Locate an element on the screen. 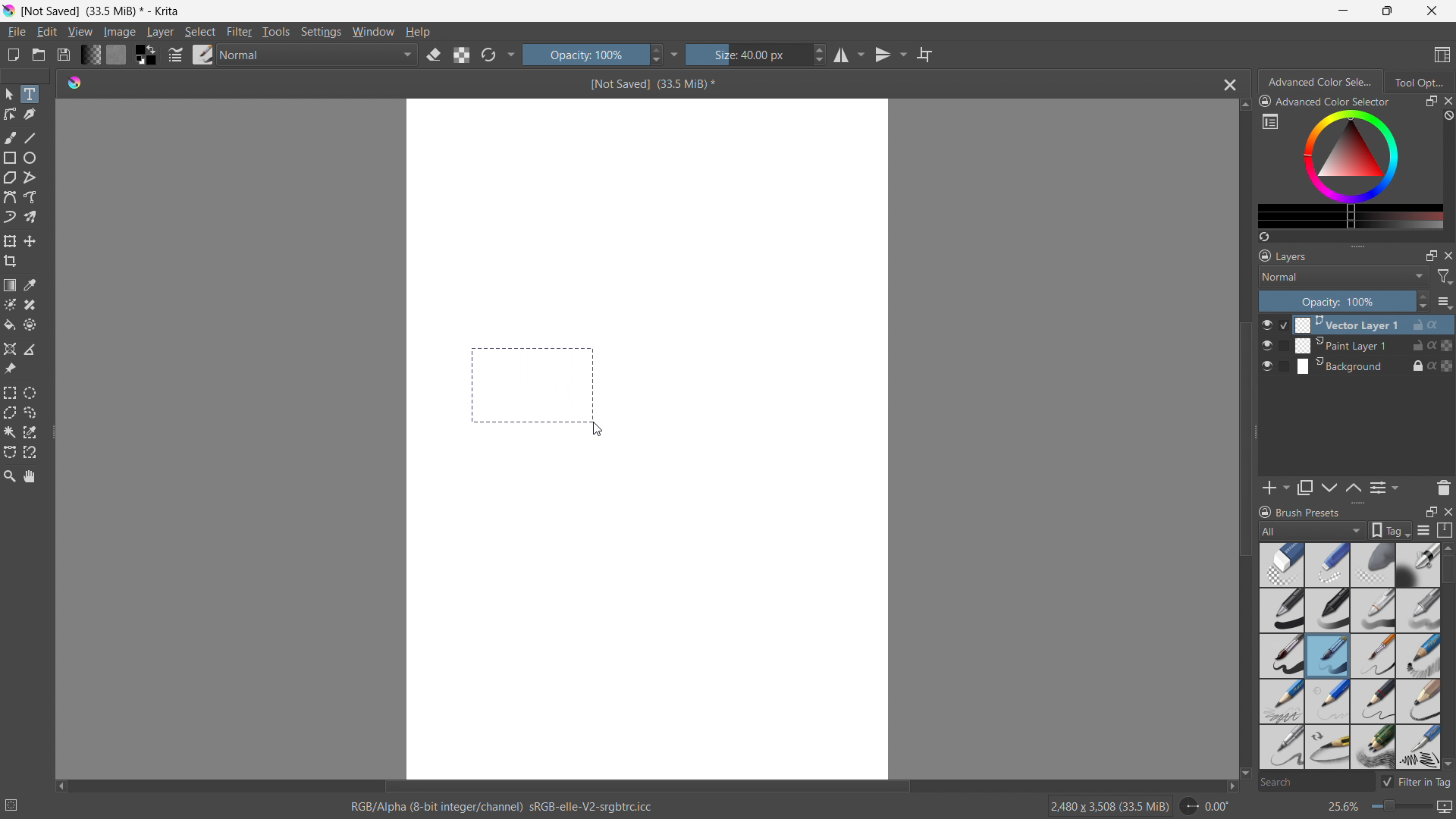 The width and height of the screenshot is (1456, 819). reload original preset is located at coordinates (488, 54).